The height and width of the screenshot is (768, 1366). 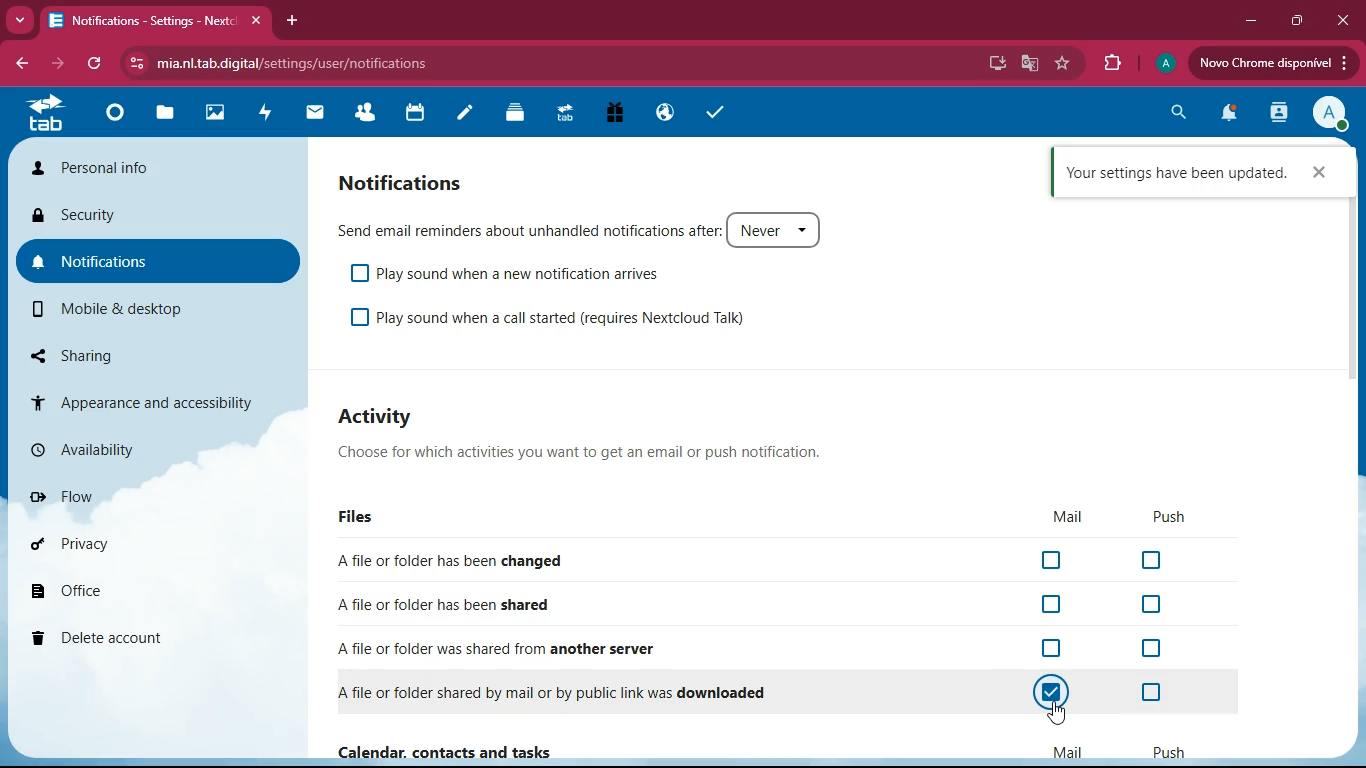 I want to click on availiability, so click(x=142, y=451).